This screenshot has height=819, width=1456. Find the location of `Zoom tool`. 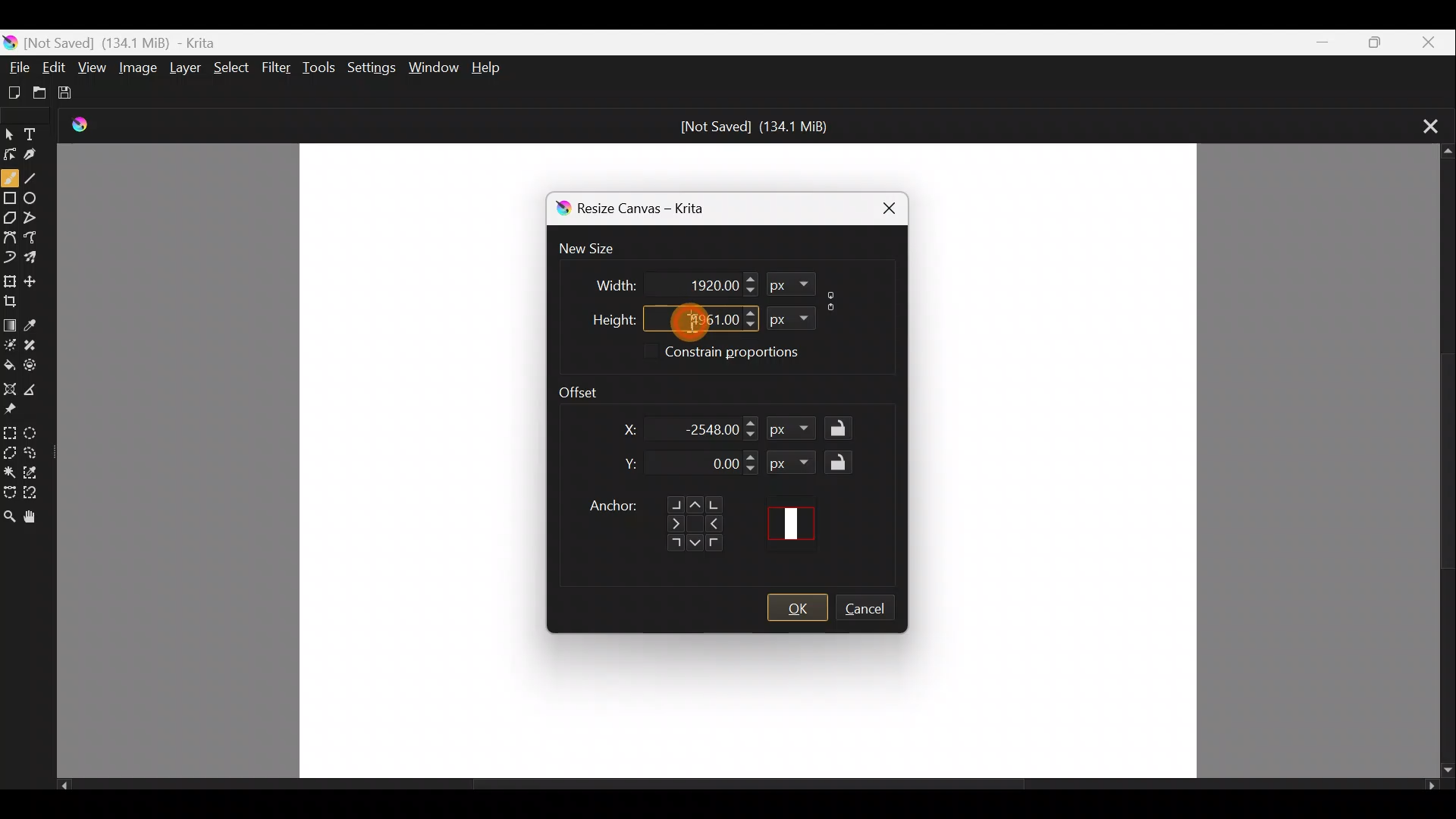

Zoom tool is located at coordinates (9, 517).